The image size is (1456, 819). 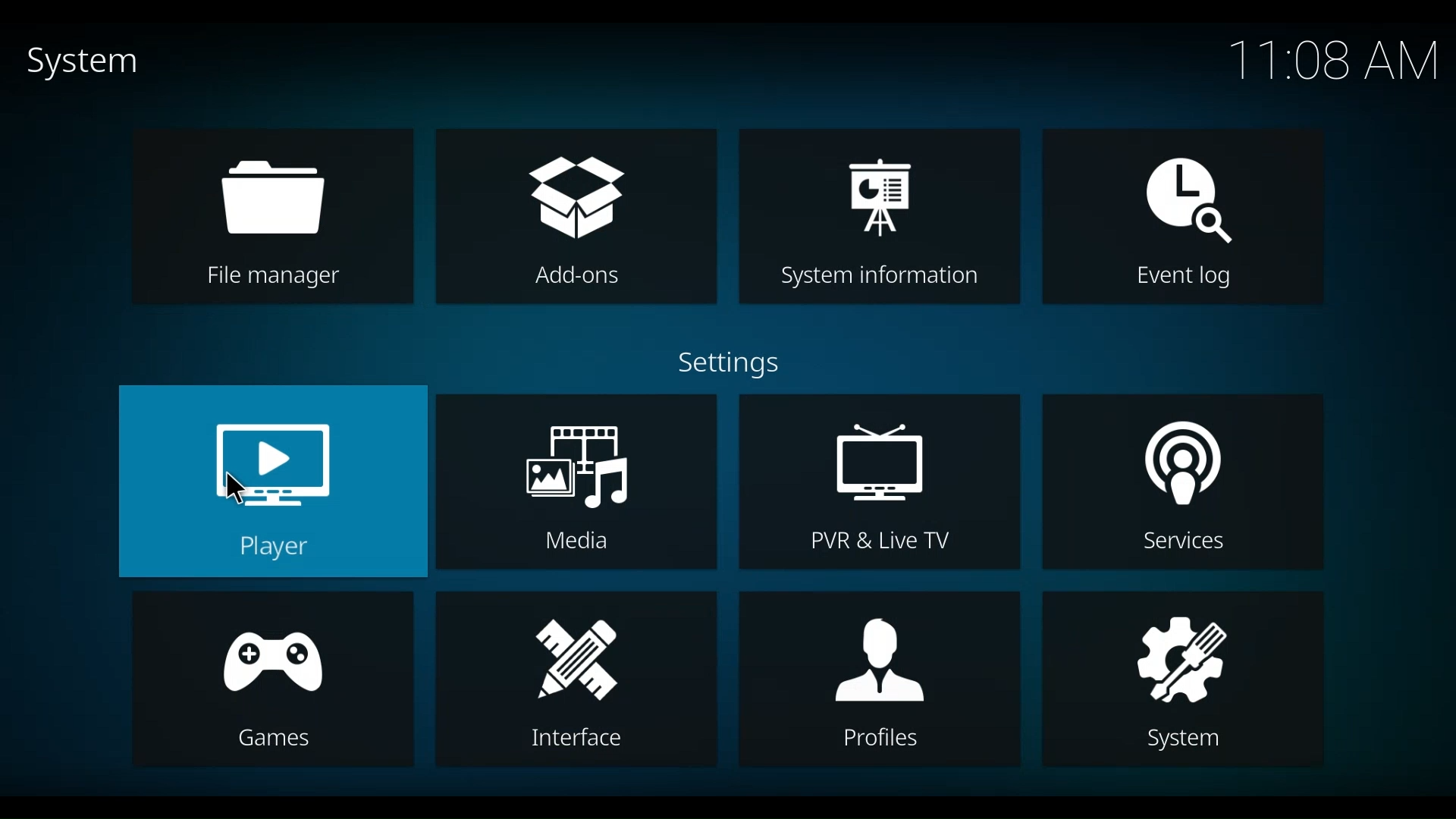 I want to click on System Information, so click(x=883, y=216).